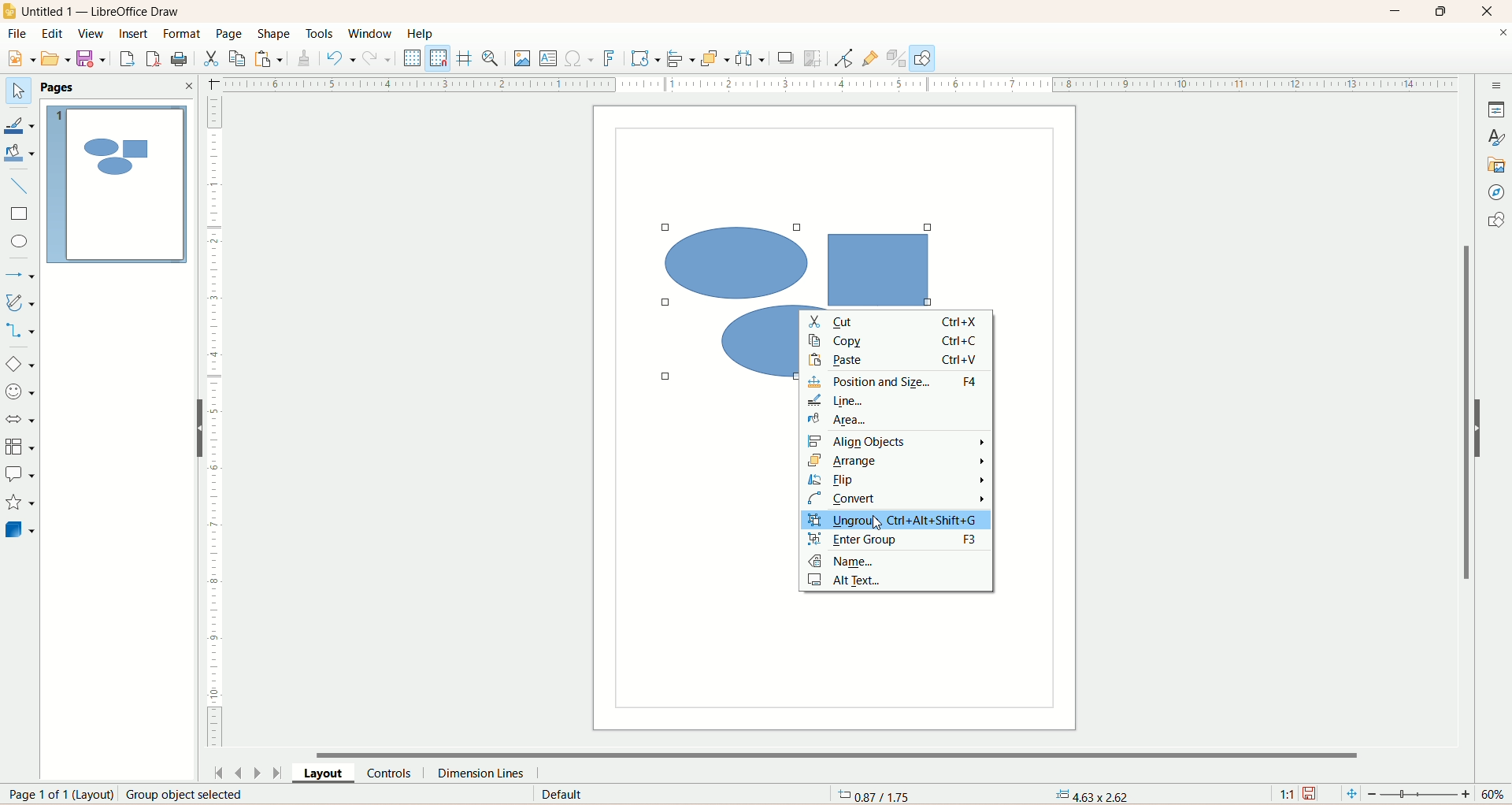 Image resolution: width=1512 pixels, height=805 pixels. I want to click on ellipse, so click(17, 243).